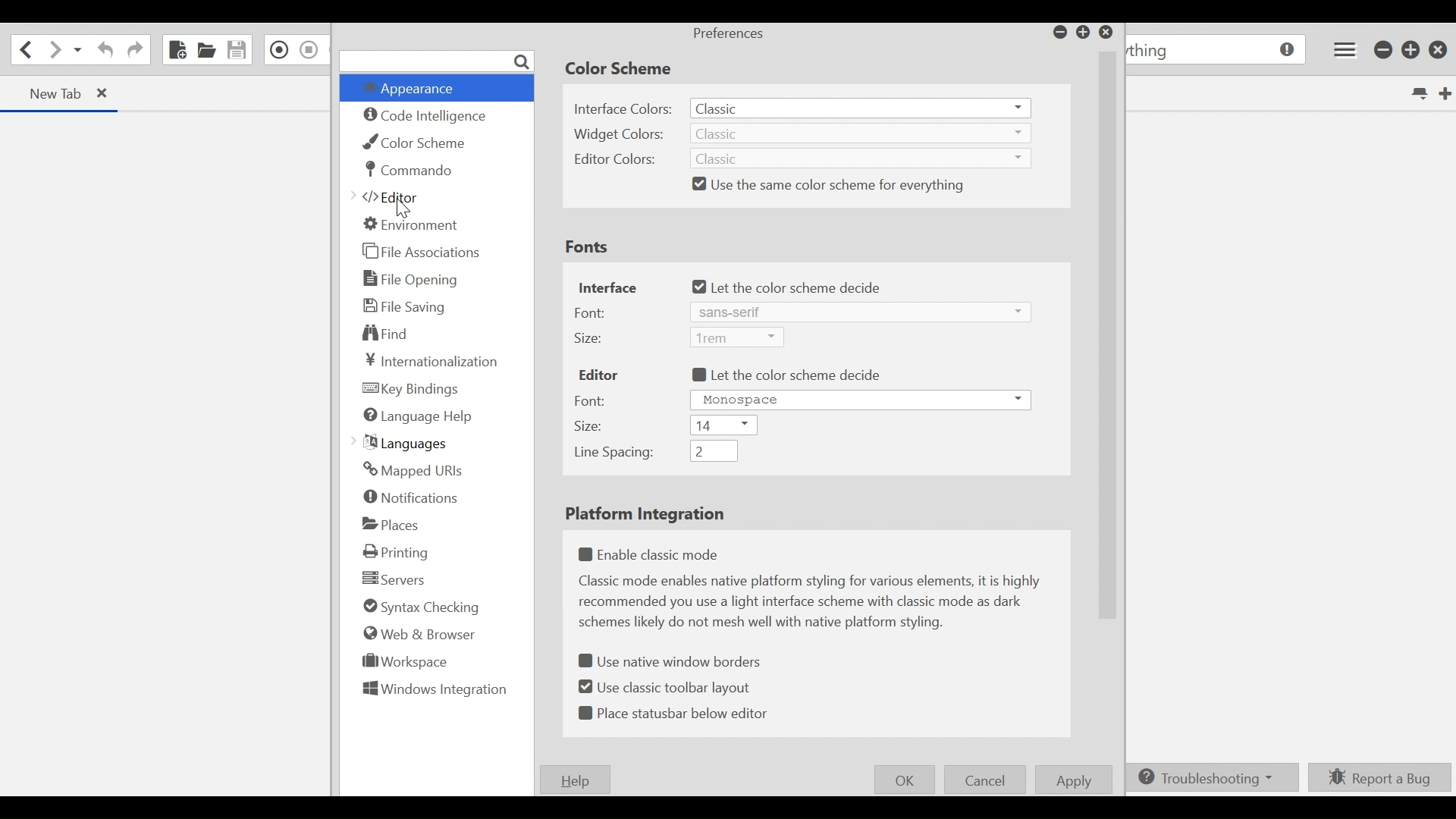 The width and height of the screenshot is (1456, 819). I want to click on (un)select Use native window borders, so click(667, 661).